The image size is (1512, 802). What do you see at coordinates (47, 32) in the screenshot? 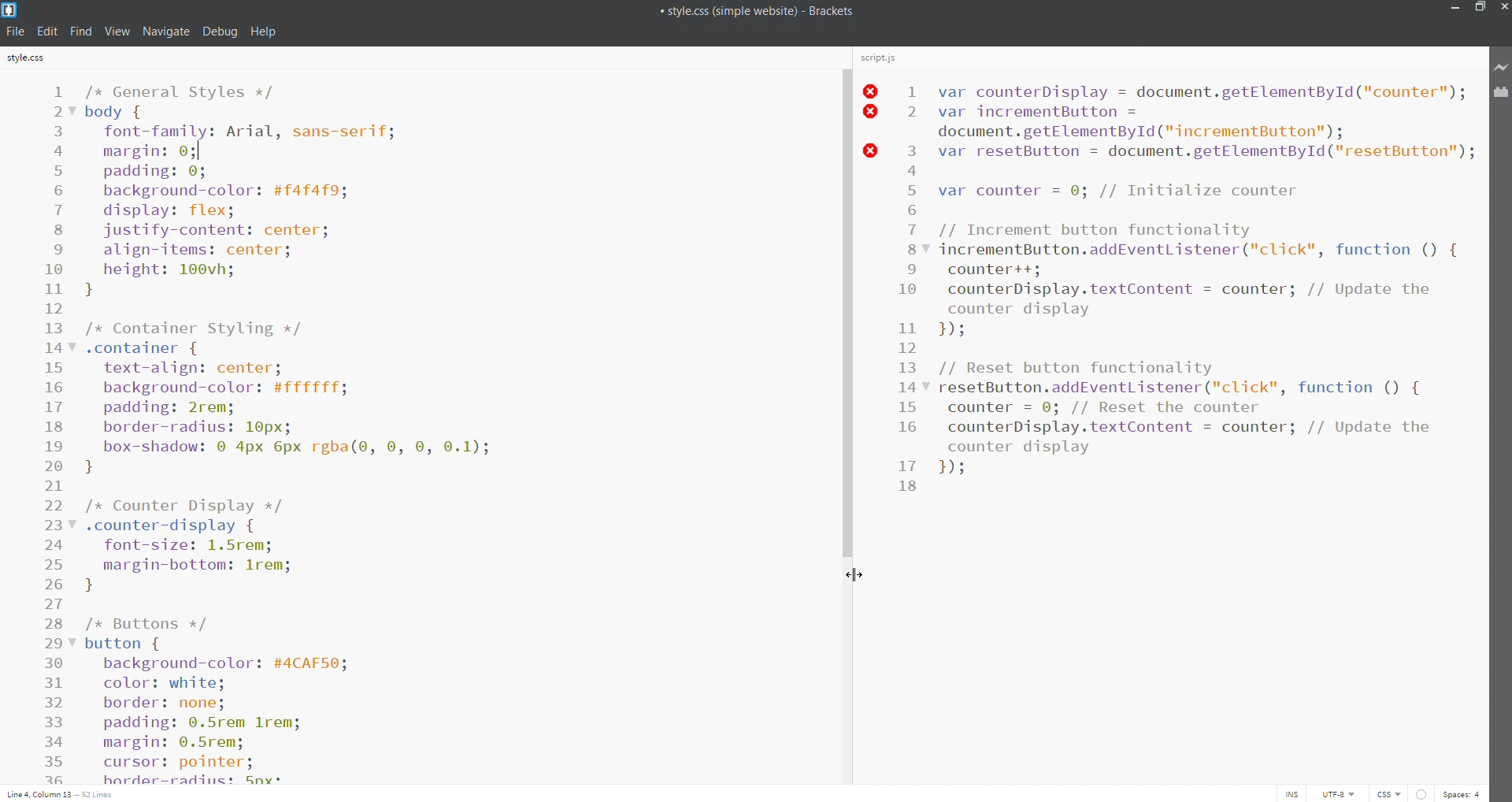
I see `edit` at bounding box center [47, 32].